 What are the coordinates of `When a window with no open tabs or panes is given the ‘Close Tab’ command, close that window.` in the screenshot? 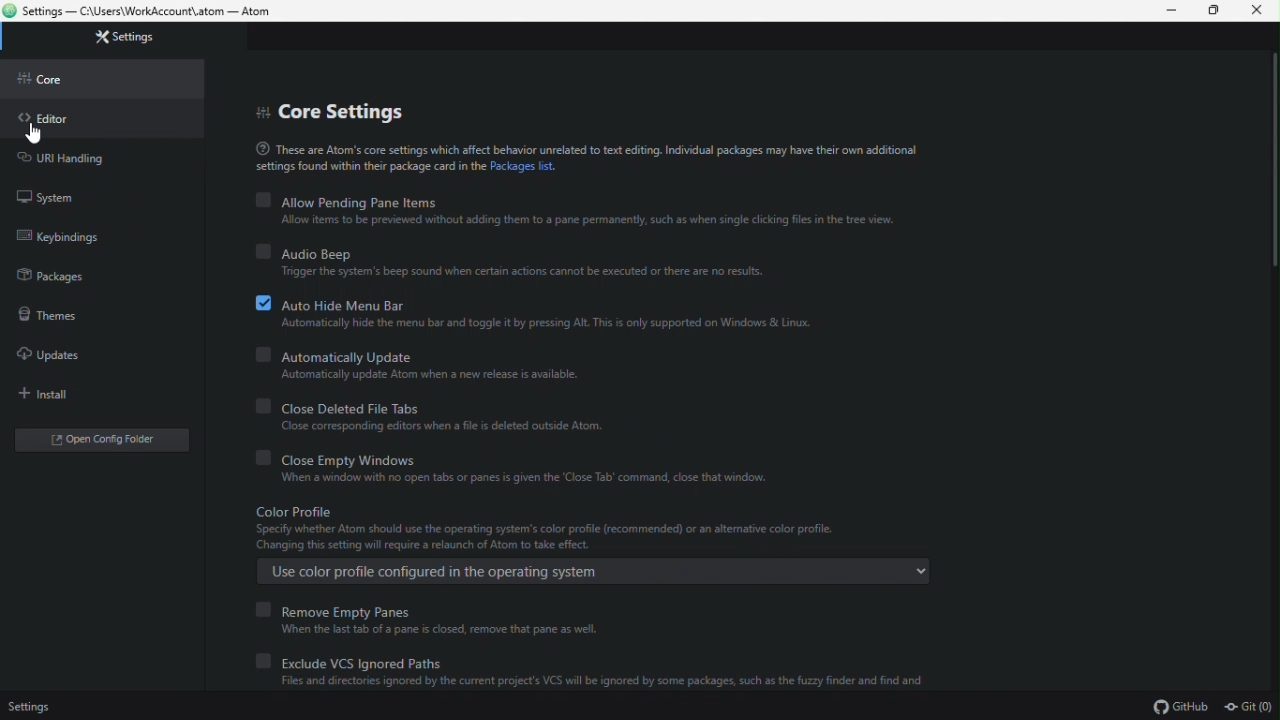 It's located at (551, 478).